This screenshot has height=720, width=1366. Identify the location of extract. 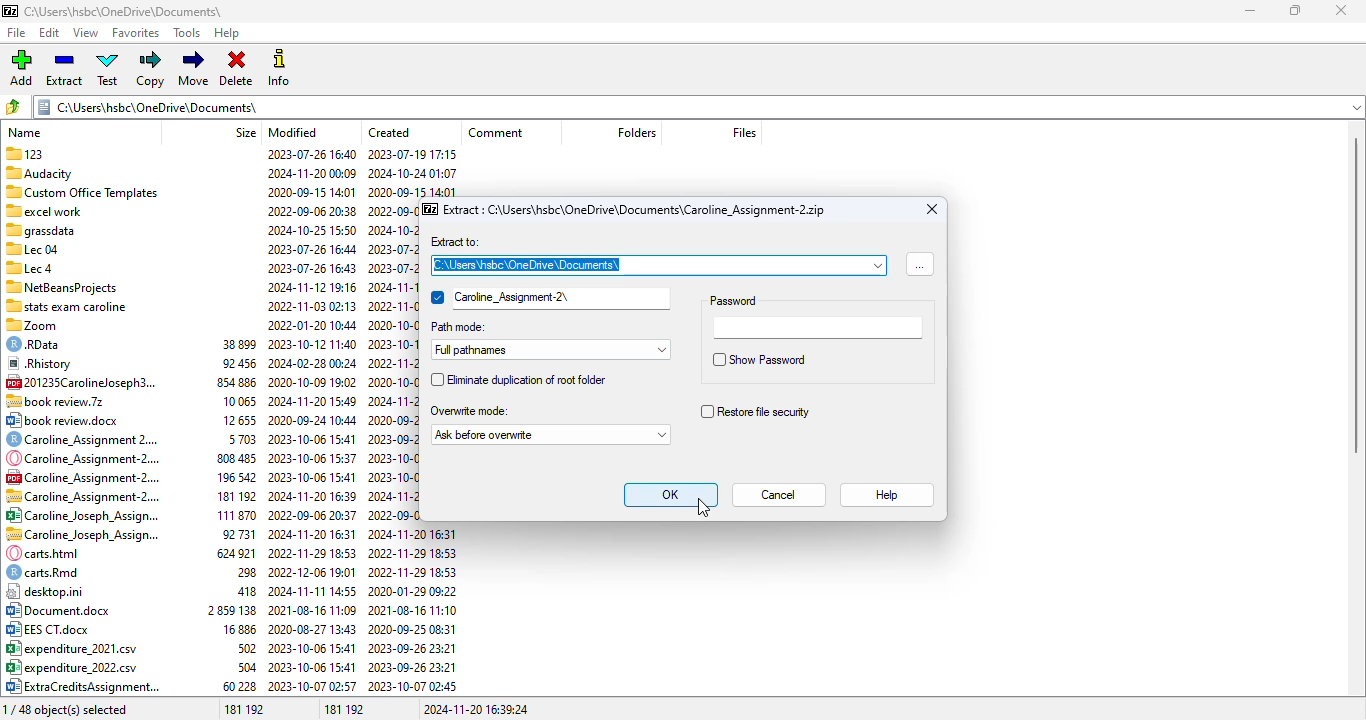
(65, 68).